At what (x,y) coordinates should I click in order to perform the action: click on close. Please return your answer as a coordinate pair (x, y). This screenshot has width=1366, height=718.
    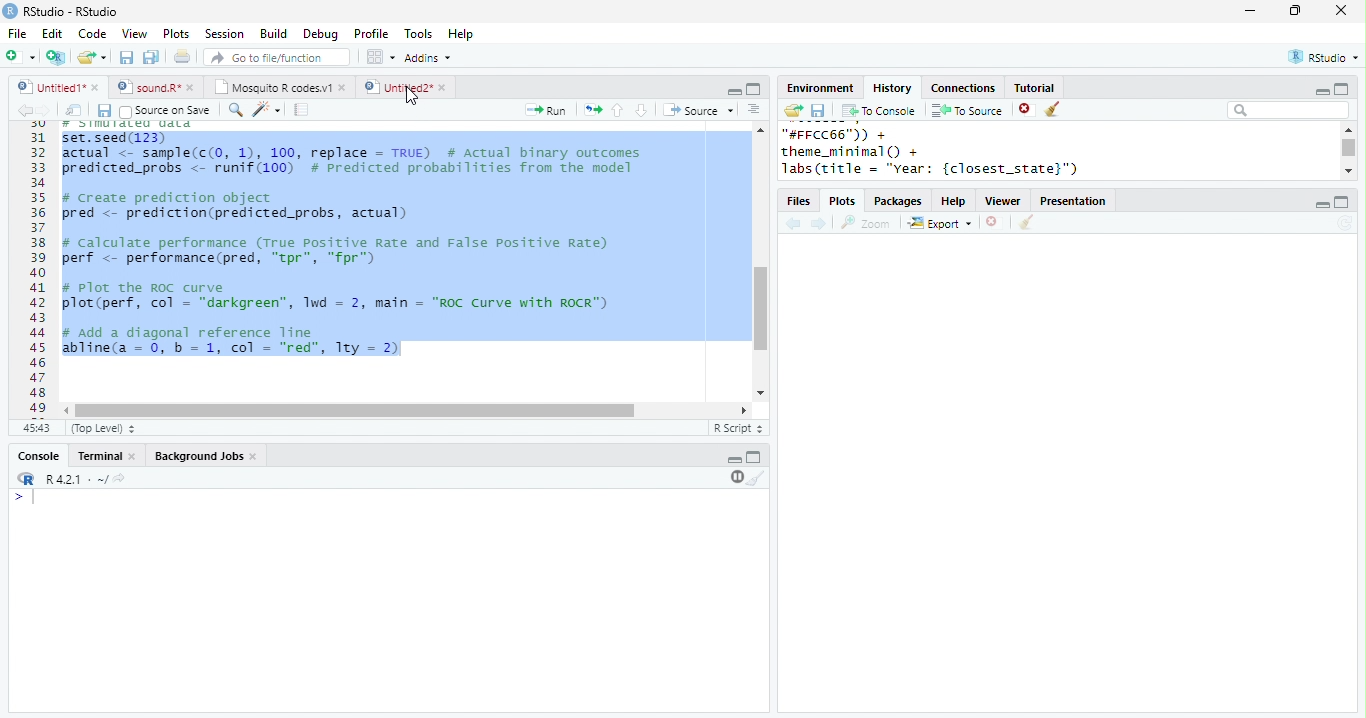
    Looking at the image, I should click on (445, 88).